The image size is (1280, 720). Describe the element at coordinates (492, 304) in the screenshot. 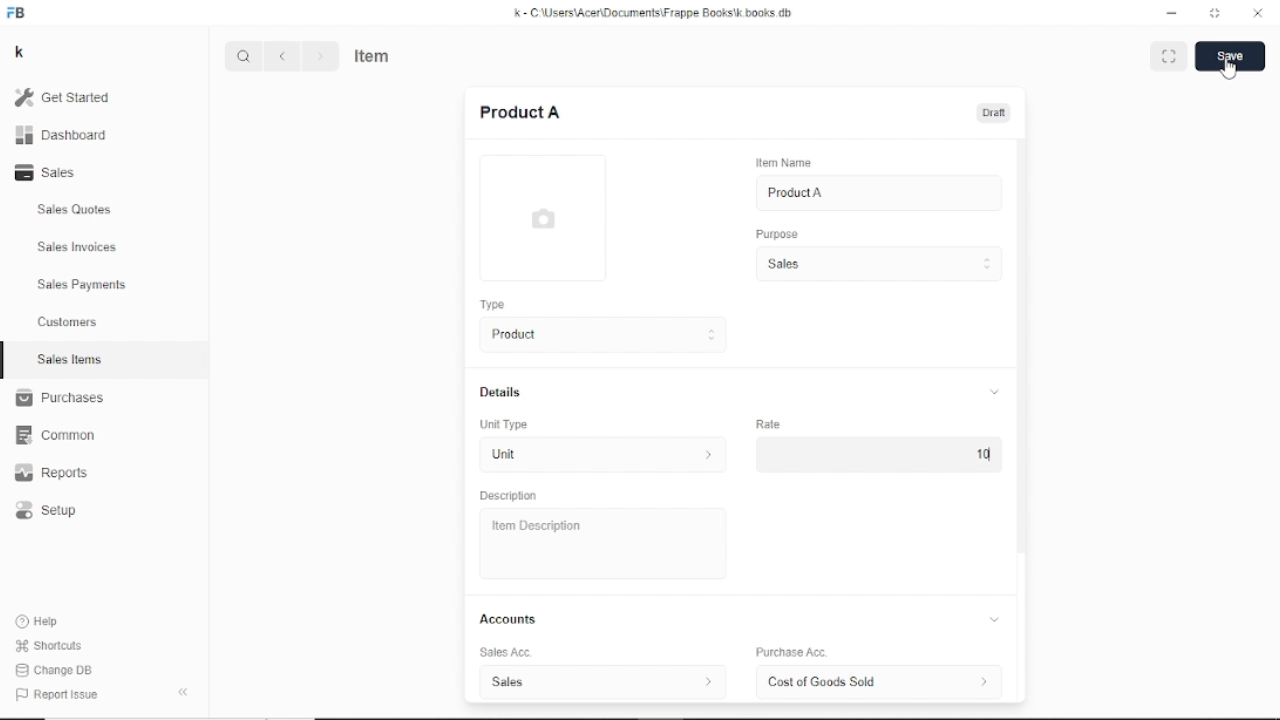

I see `Type` at that location.